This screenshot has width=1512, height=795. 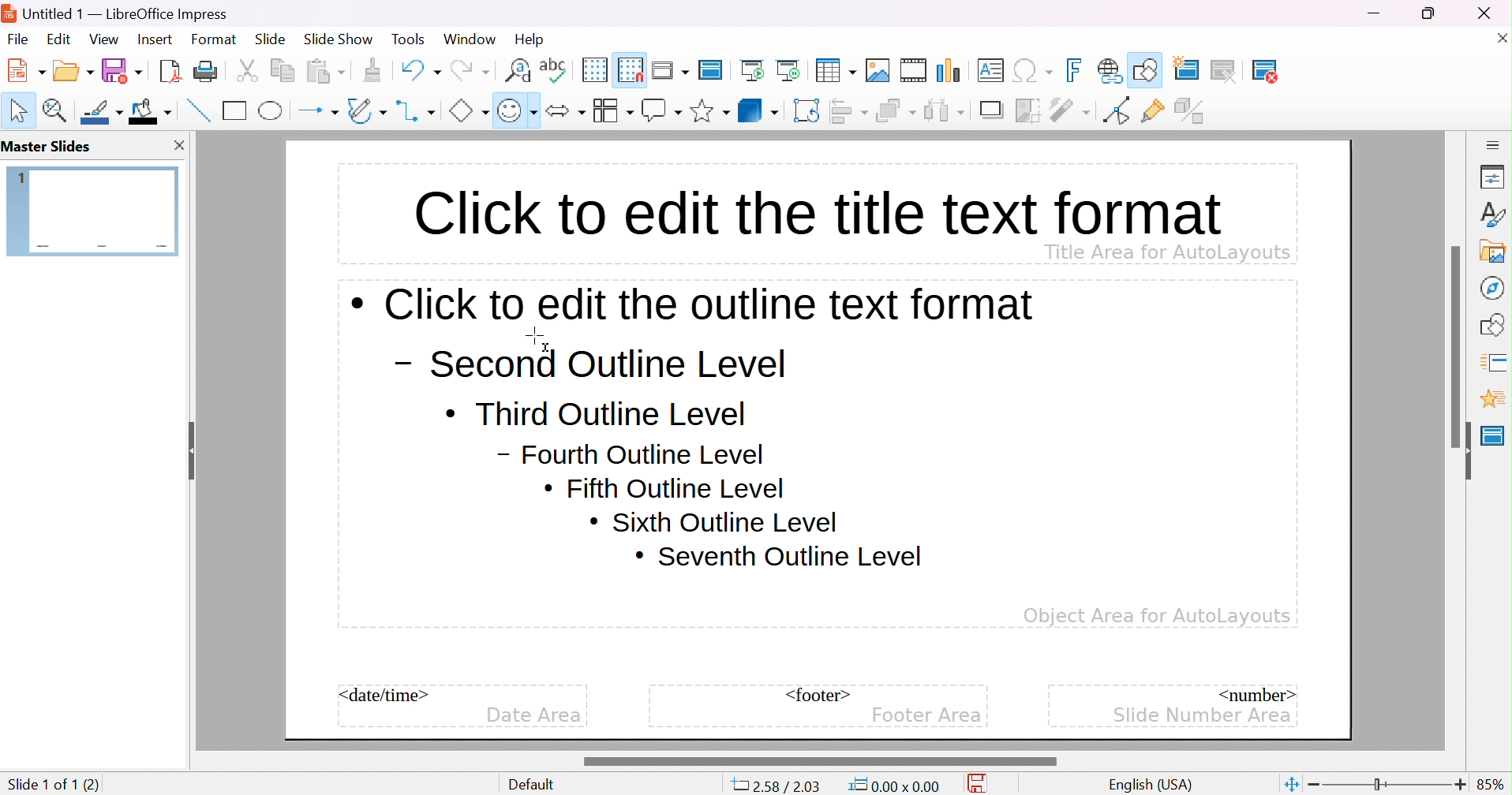 I want to click on insert line, so click(x=196, y=110).